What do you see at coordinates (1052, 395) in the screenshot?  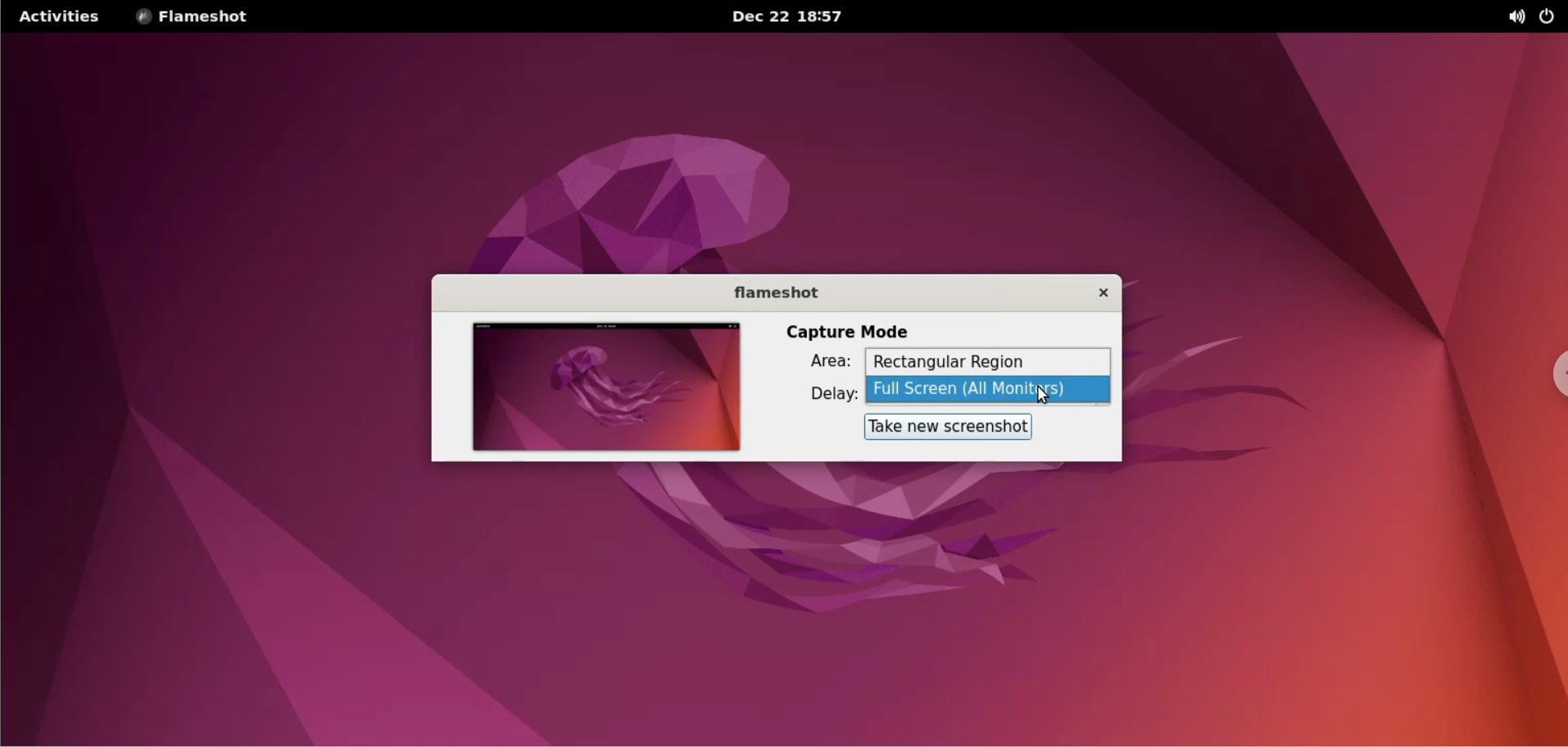 I see `cursor` at bounding box center [1052, 395].